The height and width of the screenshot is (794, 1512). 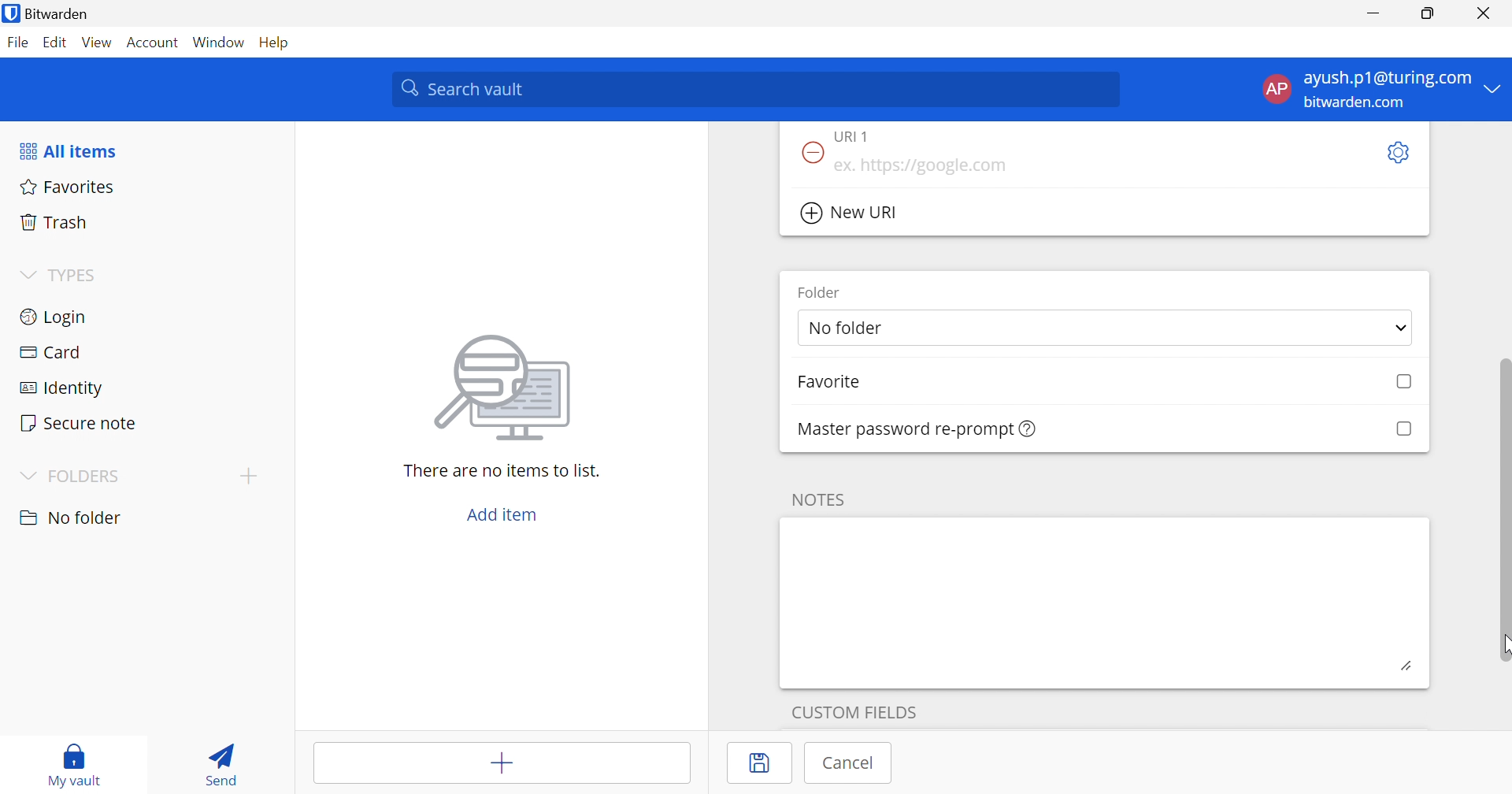 I want to click on Identity, so click(x=64, y=389).